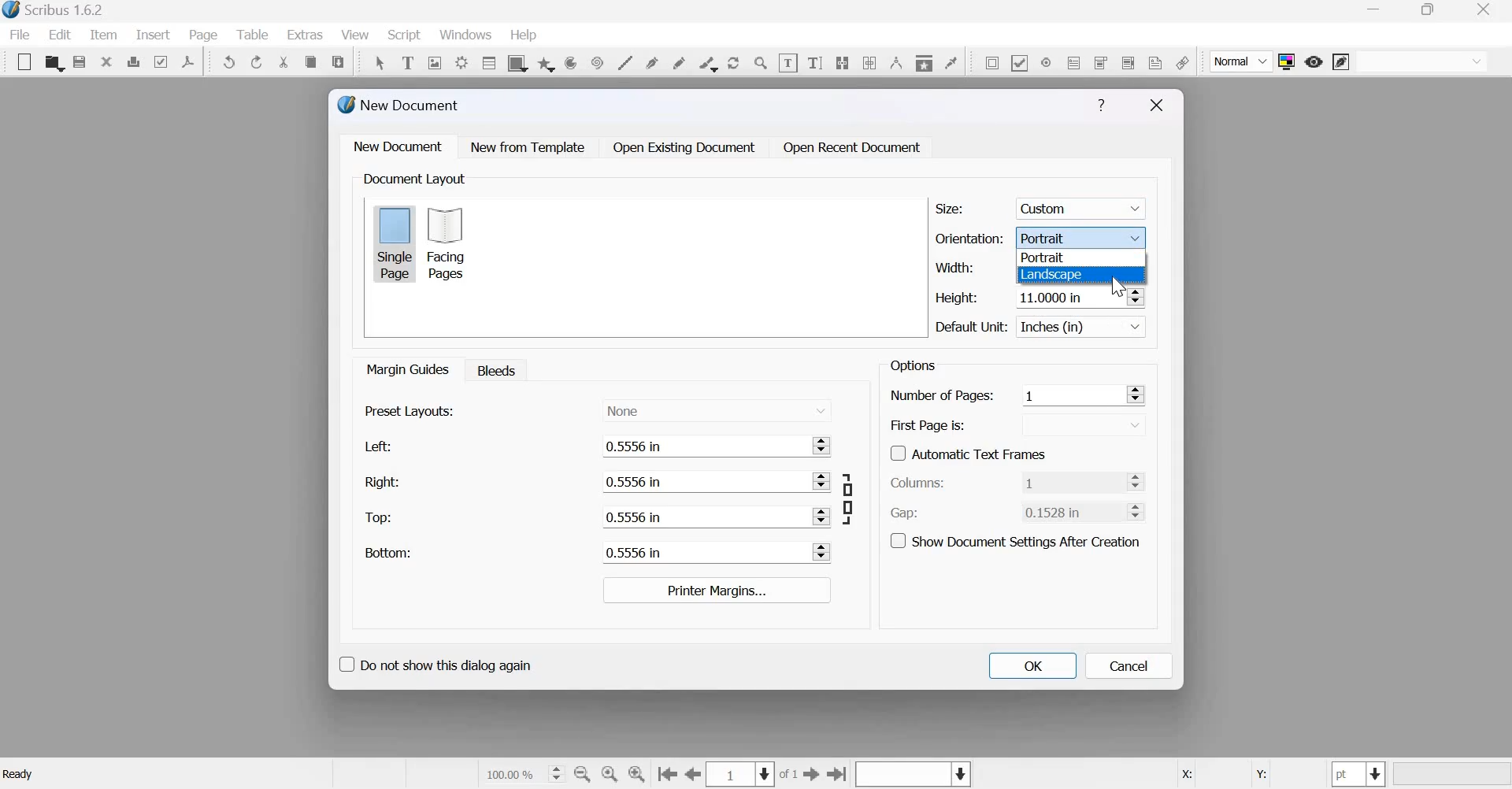 This screenshot has width=1512, height=789. I want to click on Help, so click(1101, 106).